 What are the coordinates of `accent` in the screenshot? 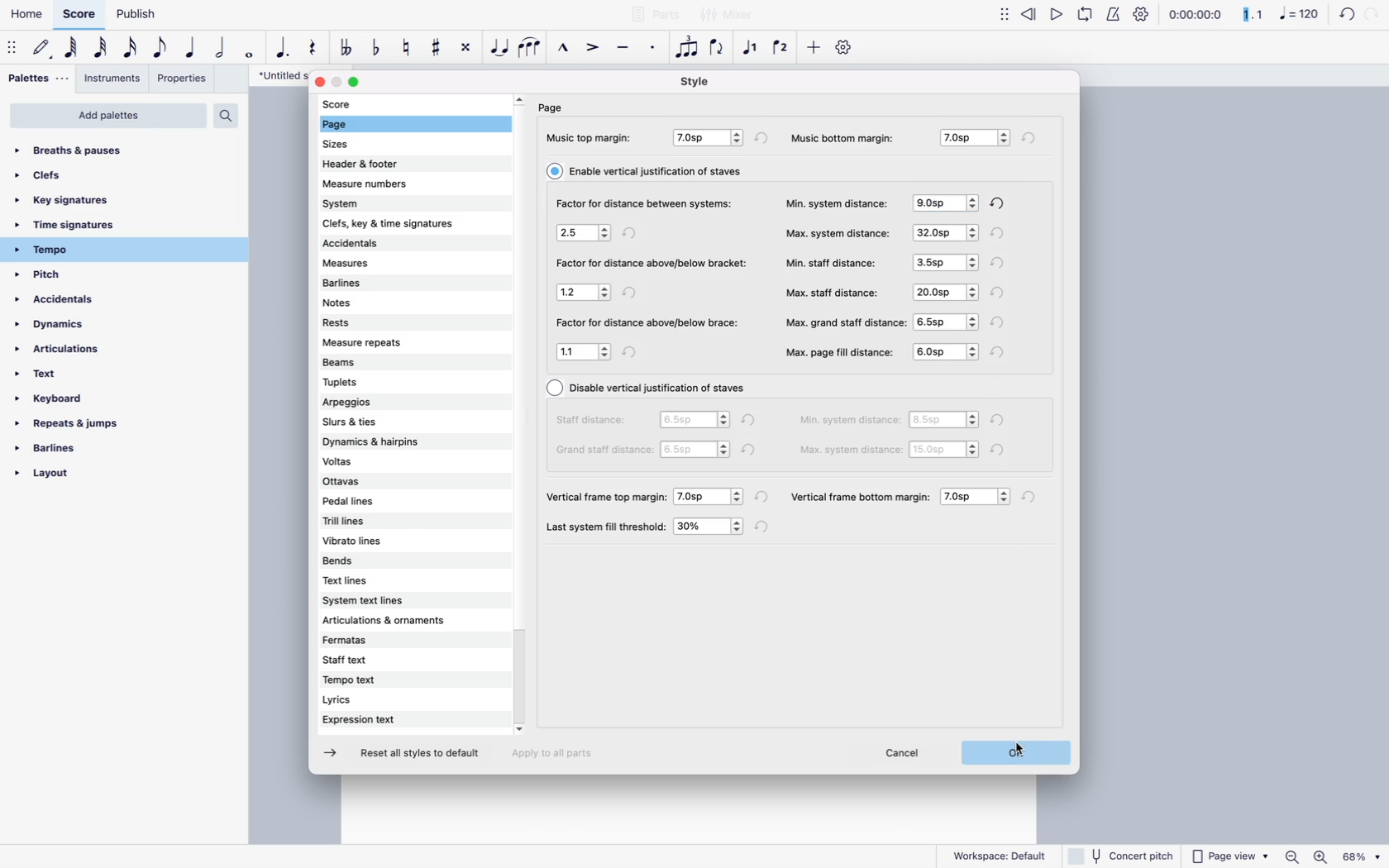 It's located at (594, 46).